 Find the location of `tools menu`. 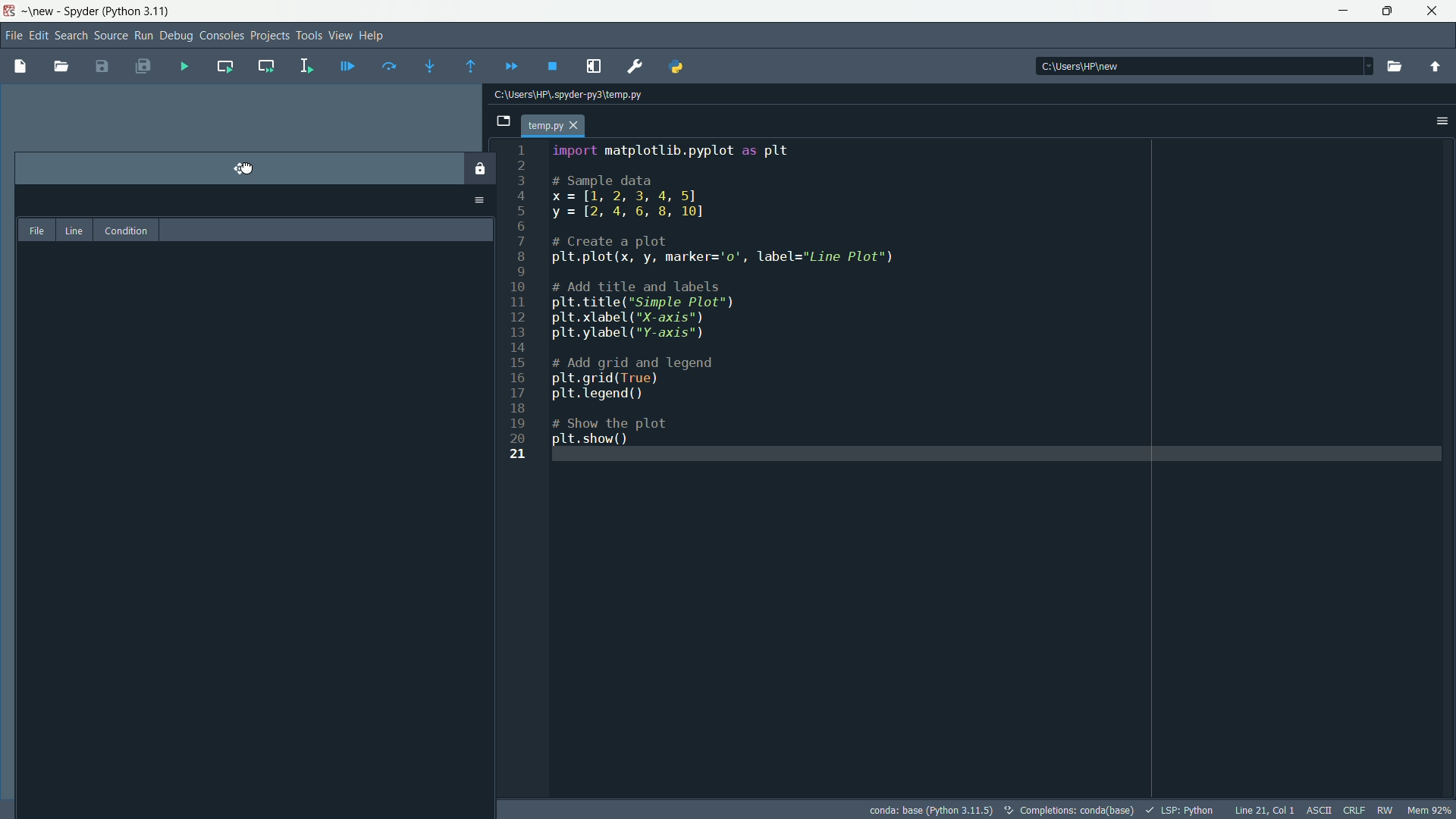

tools menu is located at coordinates (307, 35).